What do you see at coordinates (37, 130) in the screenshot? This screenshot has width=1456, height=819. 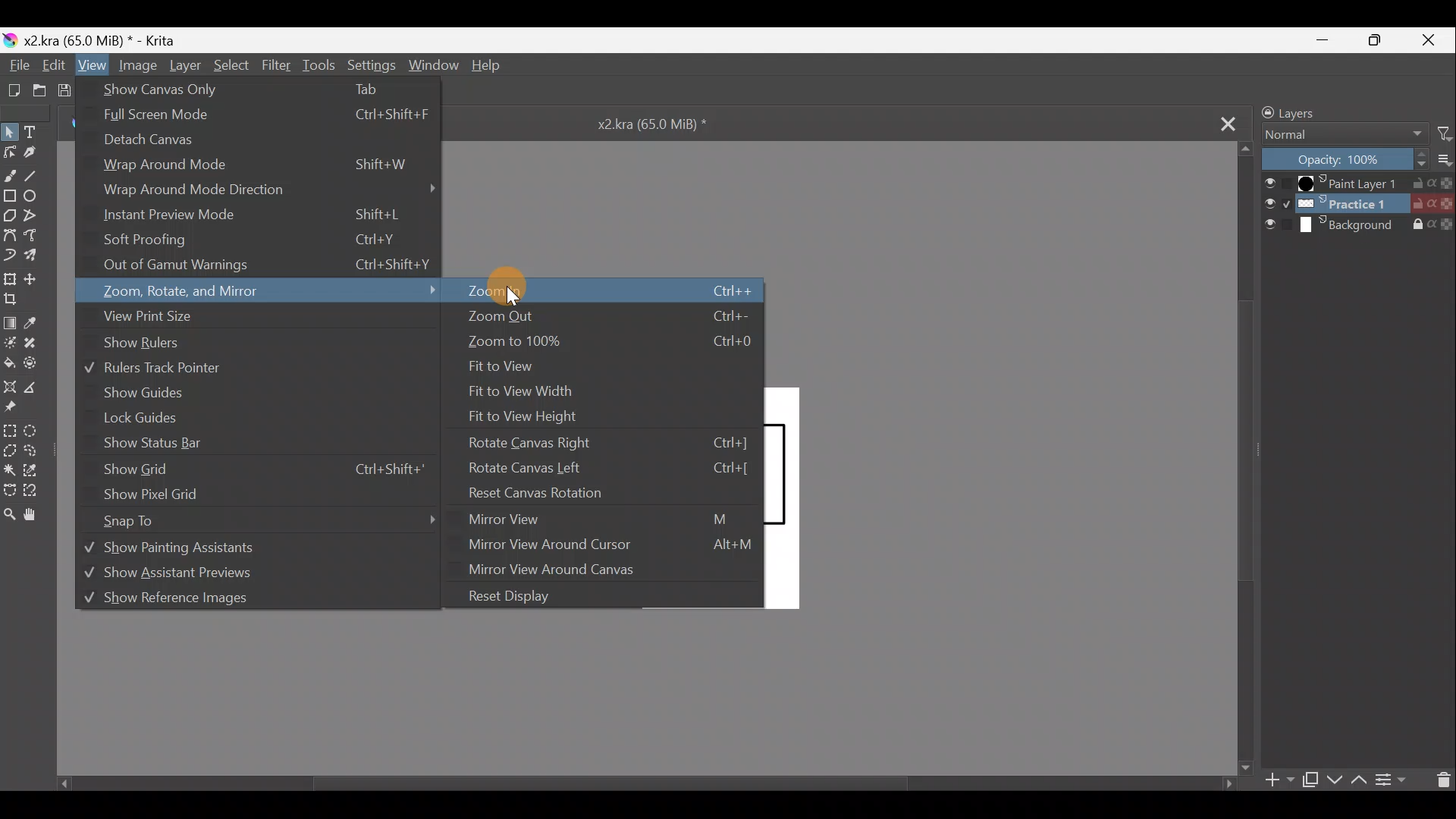 I see `Text tool` at bounding box center [37, 130].